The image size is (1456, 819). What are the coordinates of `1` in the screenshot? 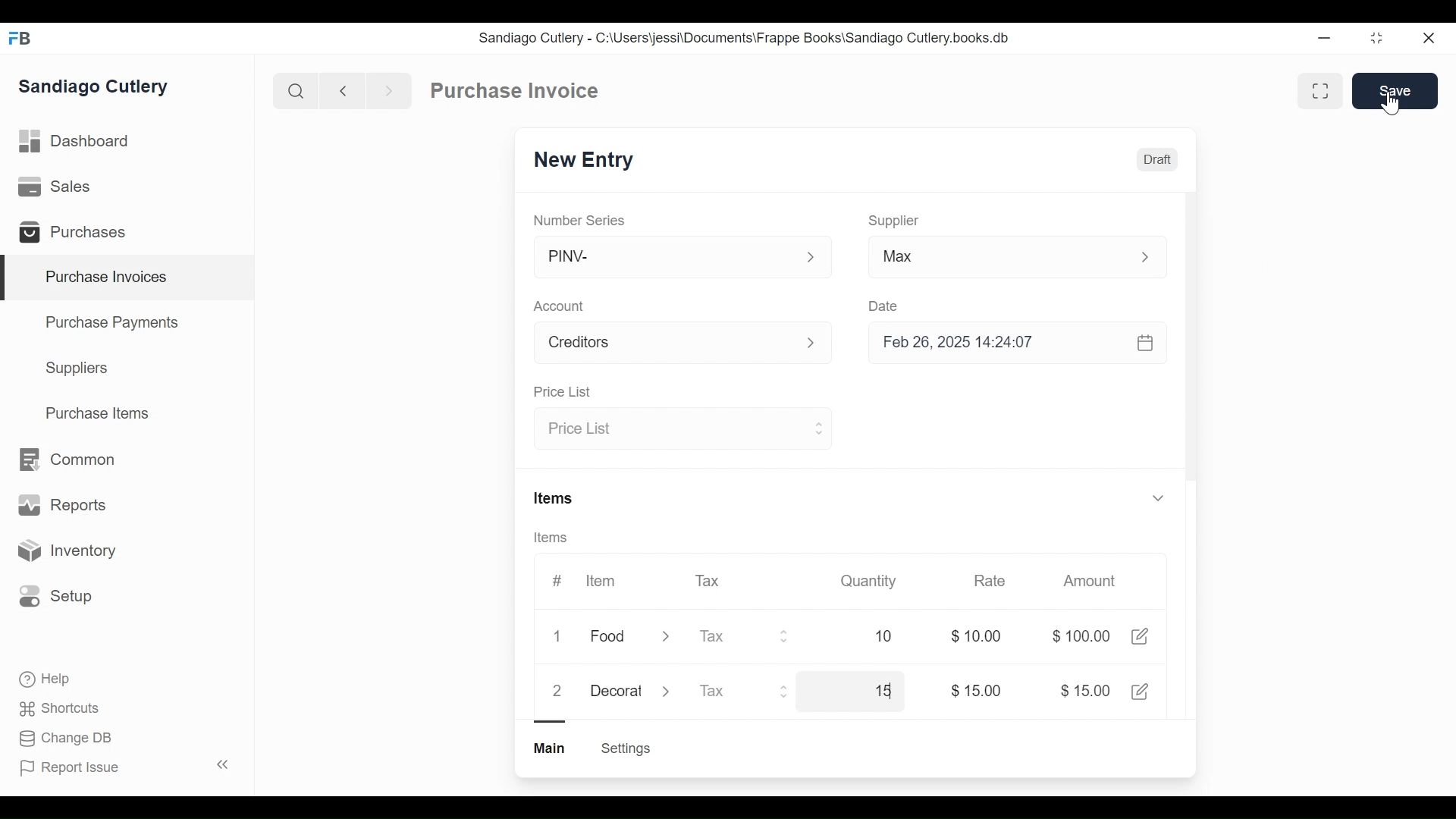 It's located at (561, 637).